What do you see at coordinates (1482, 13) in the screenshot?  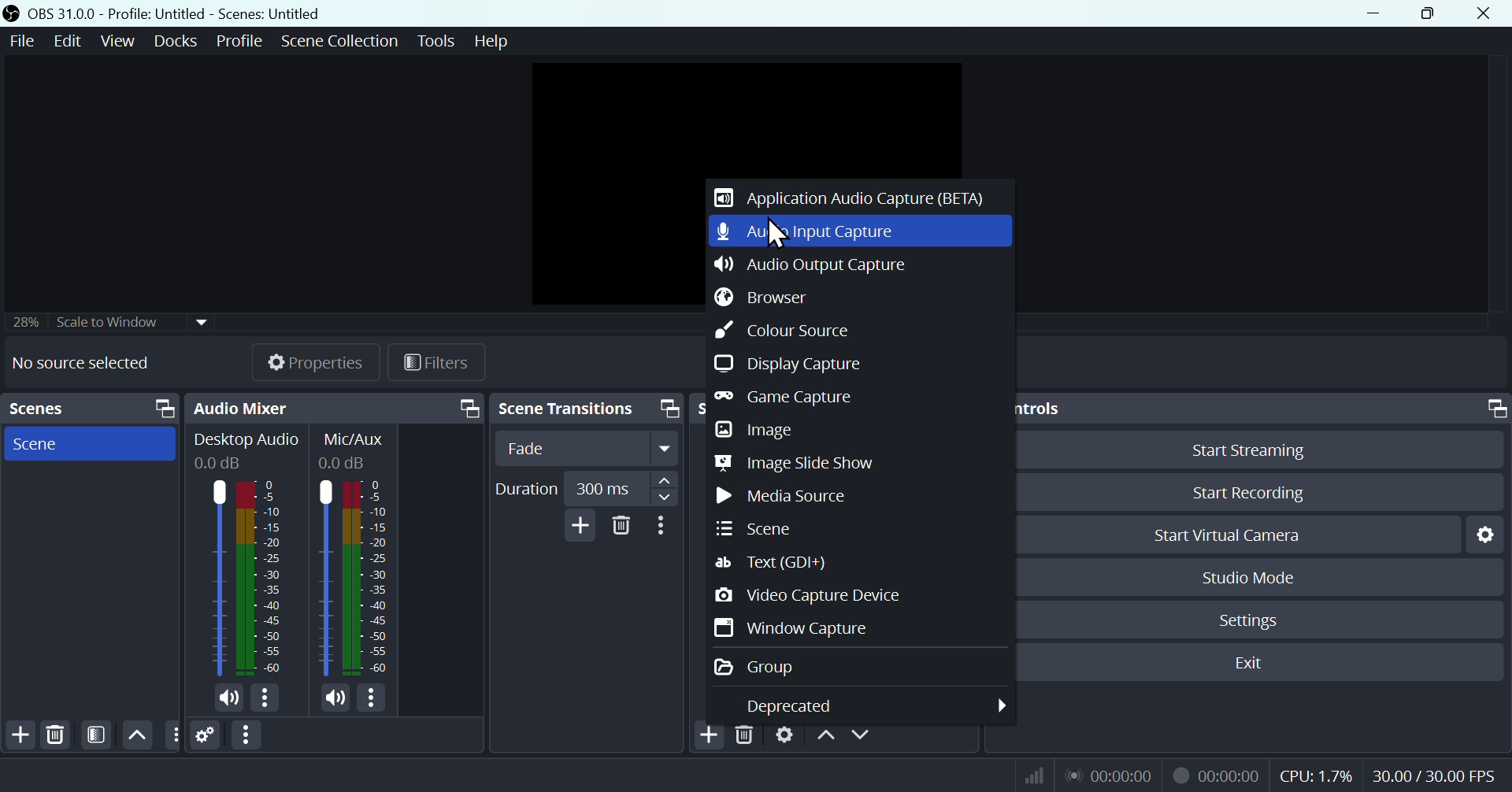 I see `Close` at bounding box center [1482, 13].